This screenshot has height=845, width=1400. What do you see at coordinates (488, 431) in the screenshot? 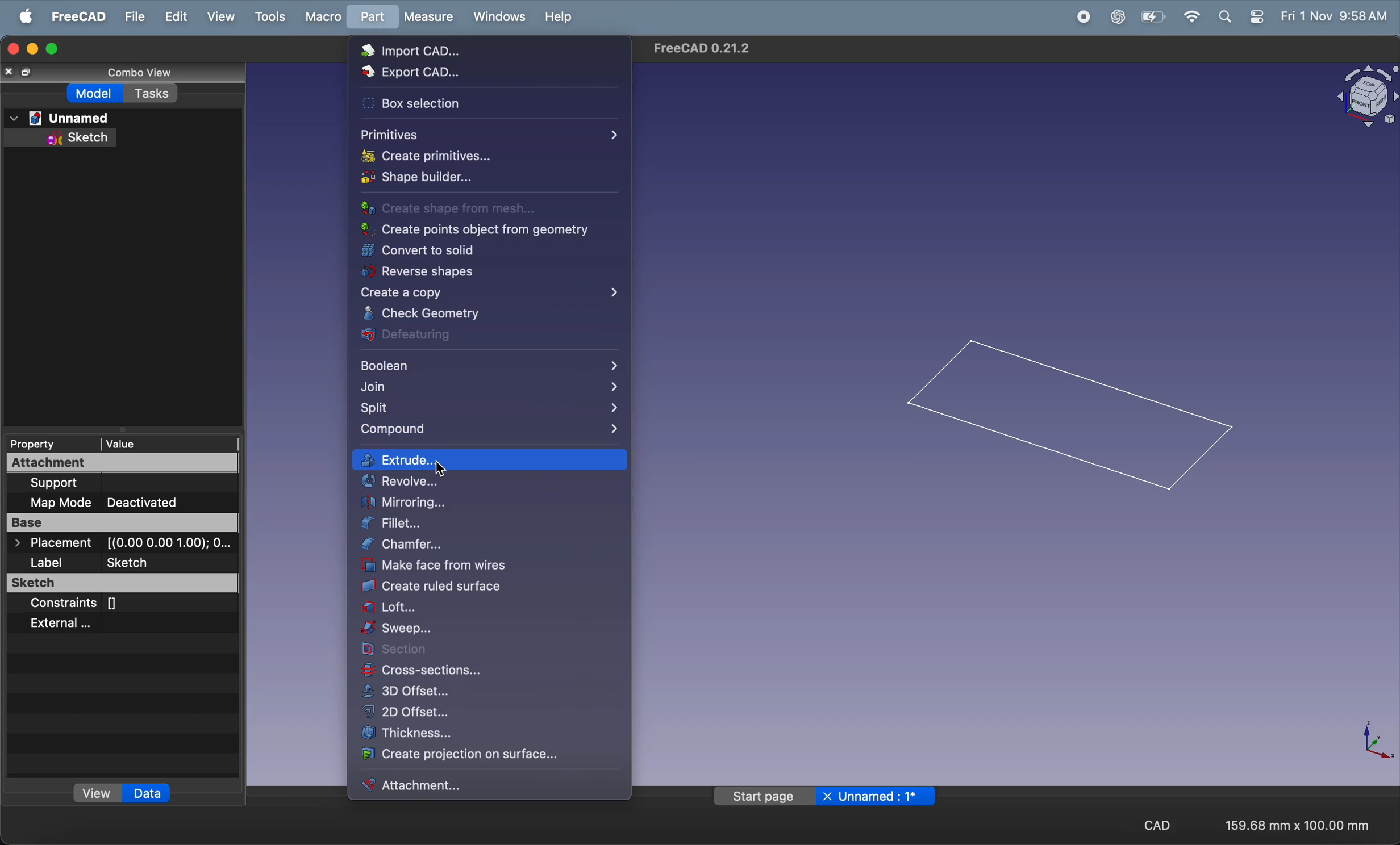
I see `compound` at bounding box center [488, 431].